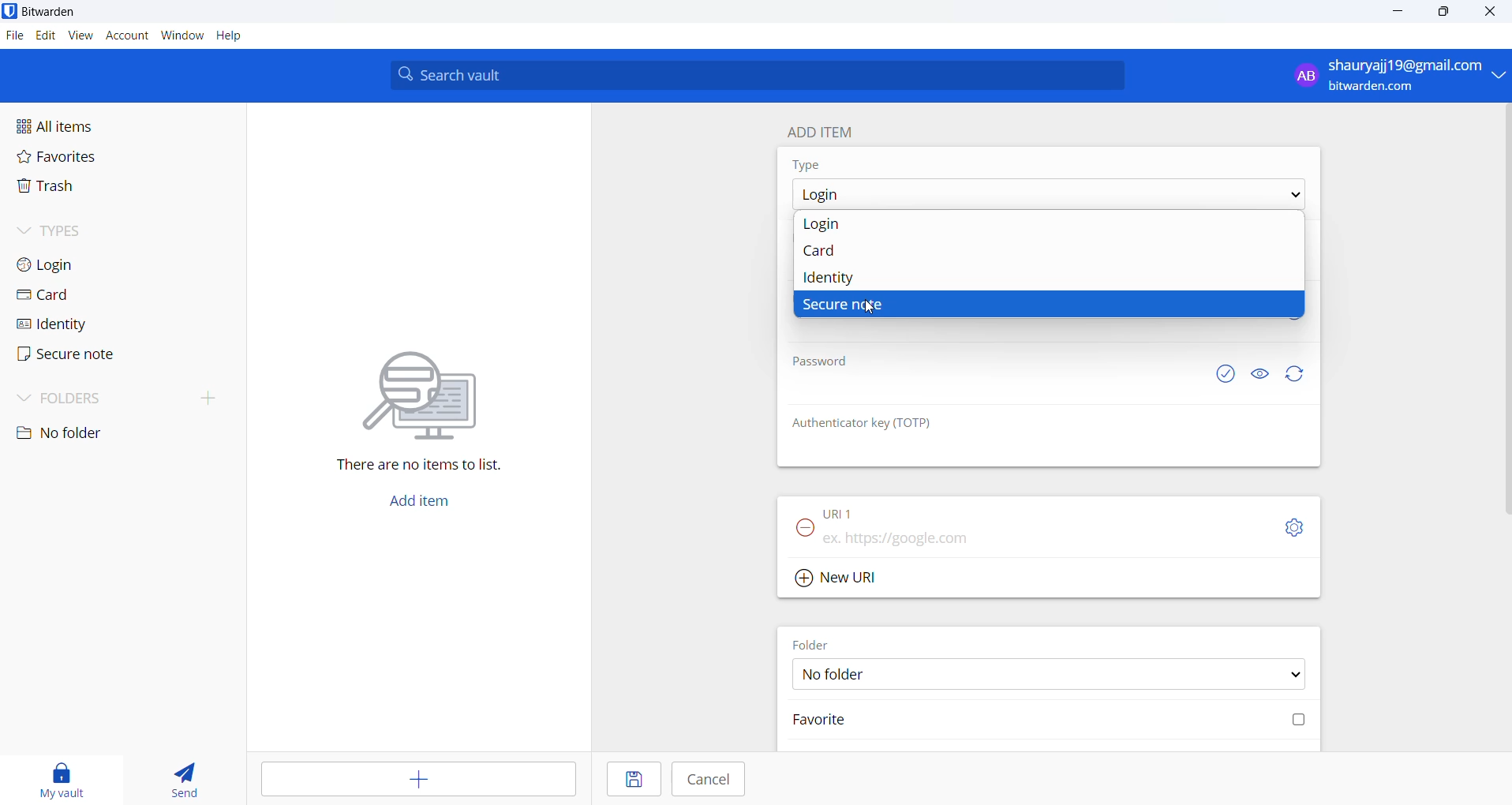 Image resolution: width=1512 pixels, height=805 pixels. What do you see at coordinates (429, 500) in the screenshot?
I see `add item` at bounding box center [429, 500].